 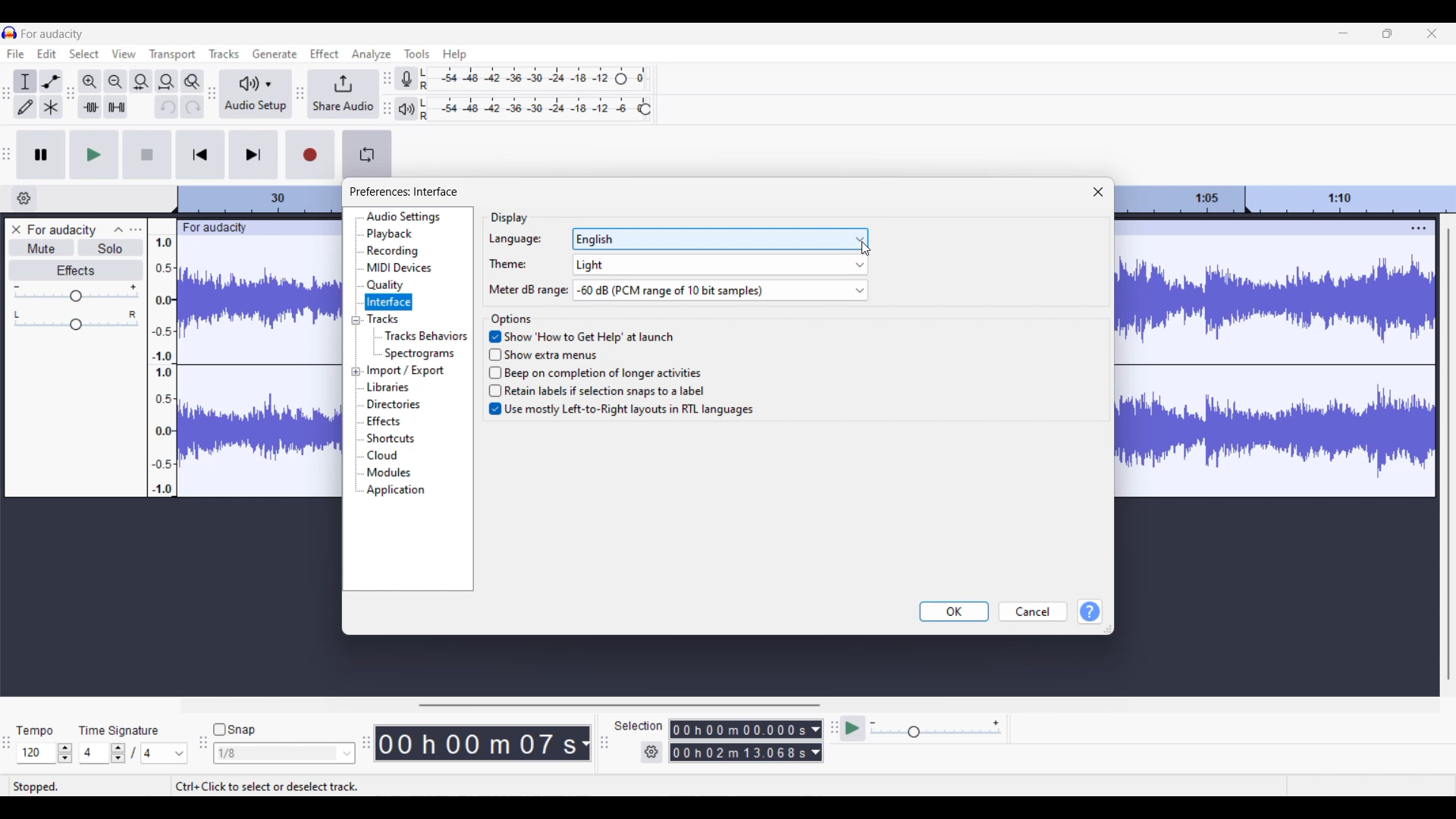 What do you see at coordinates (25, 81) in the screenshot?
I see `Selection tool` at bounding box center [25, 81].